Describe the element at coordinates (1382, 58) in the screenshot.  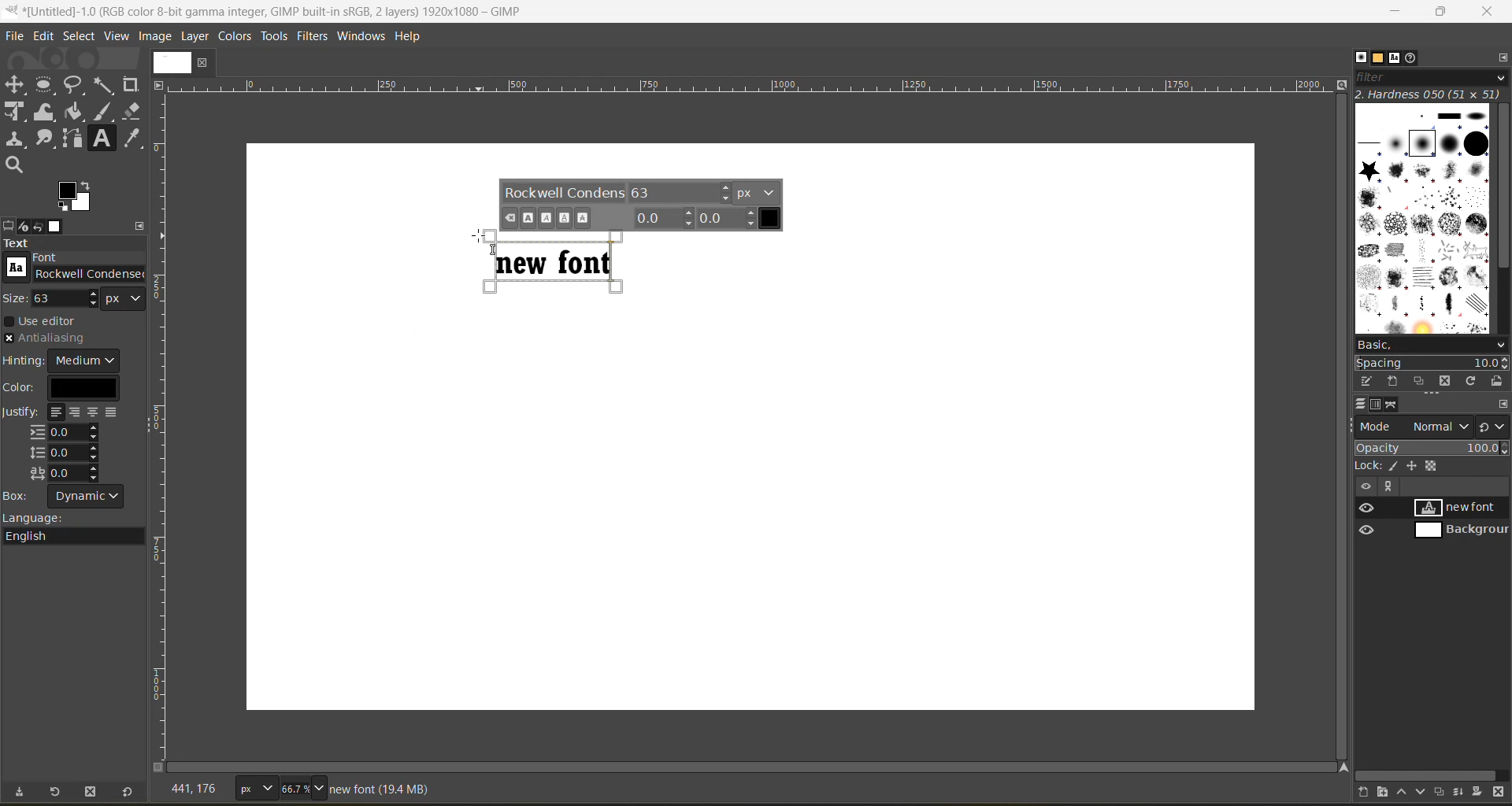
I see `patterns` at that location.